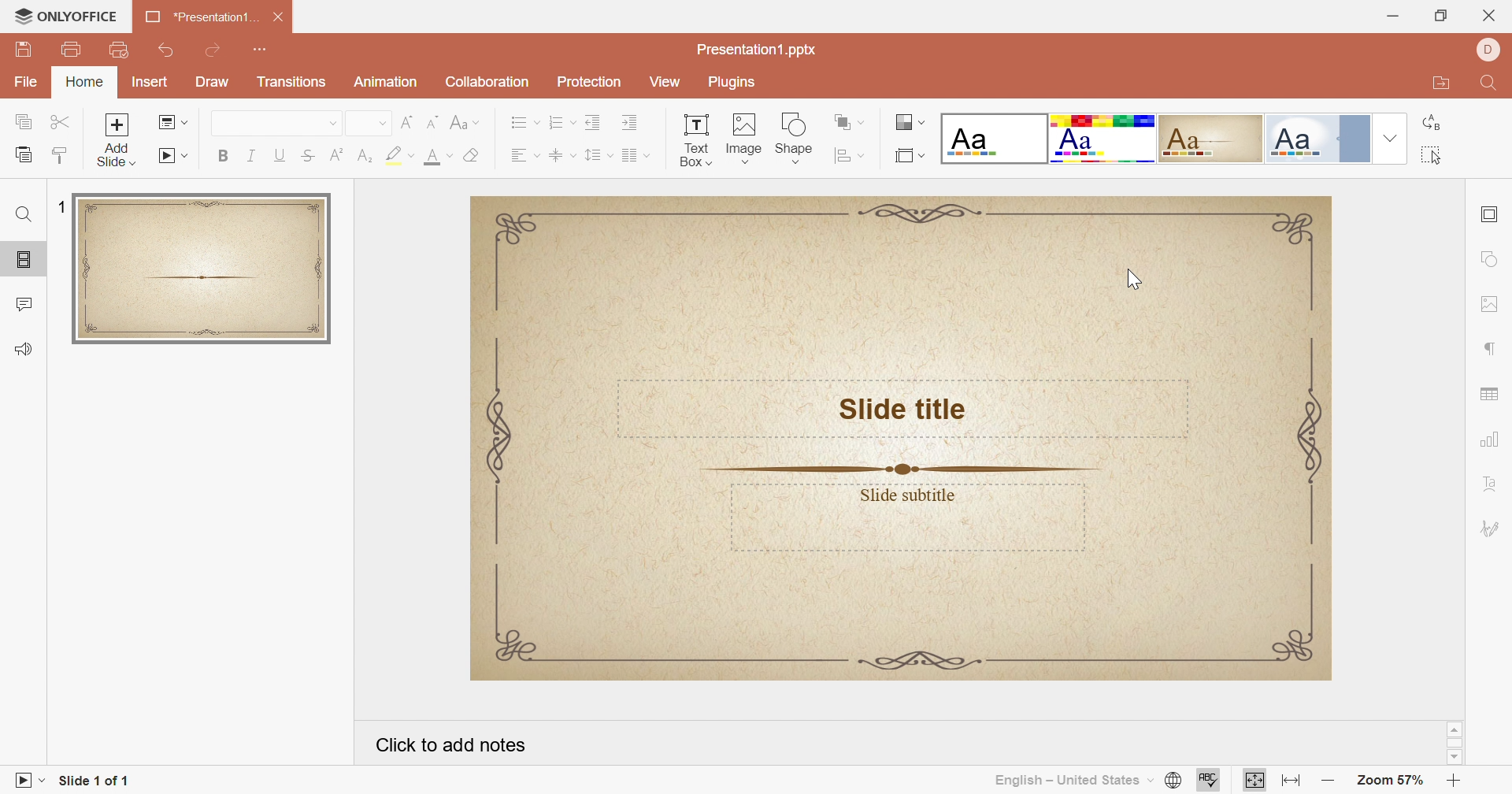 This screenshot has width=1512, height=794. Describe the element at coordinates (1319, 138) in the screenshot. I see `Official` at that location.